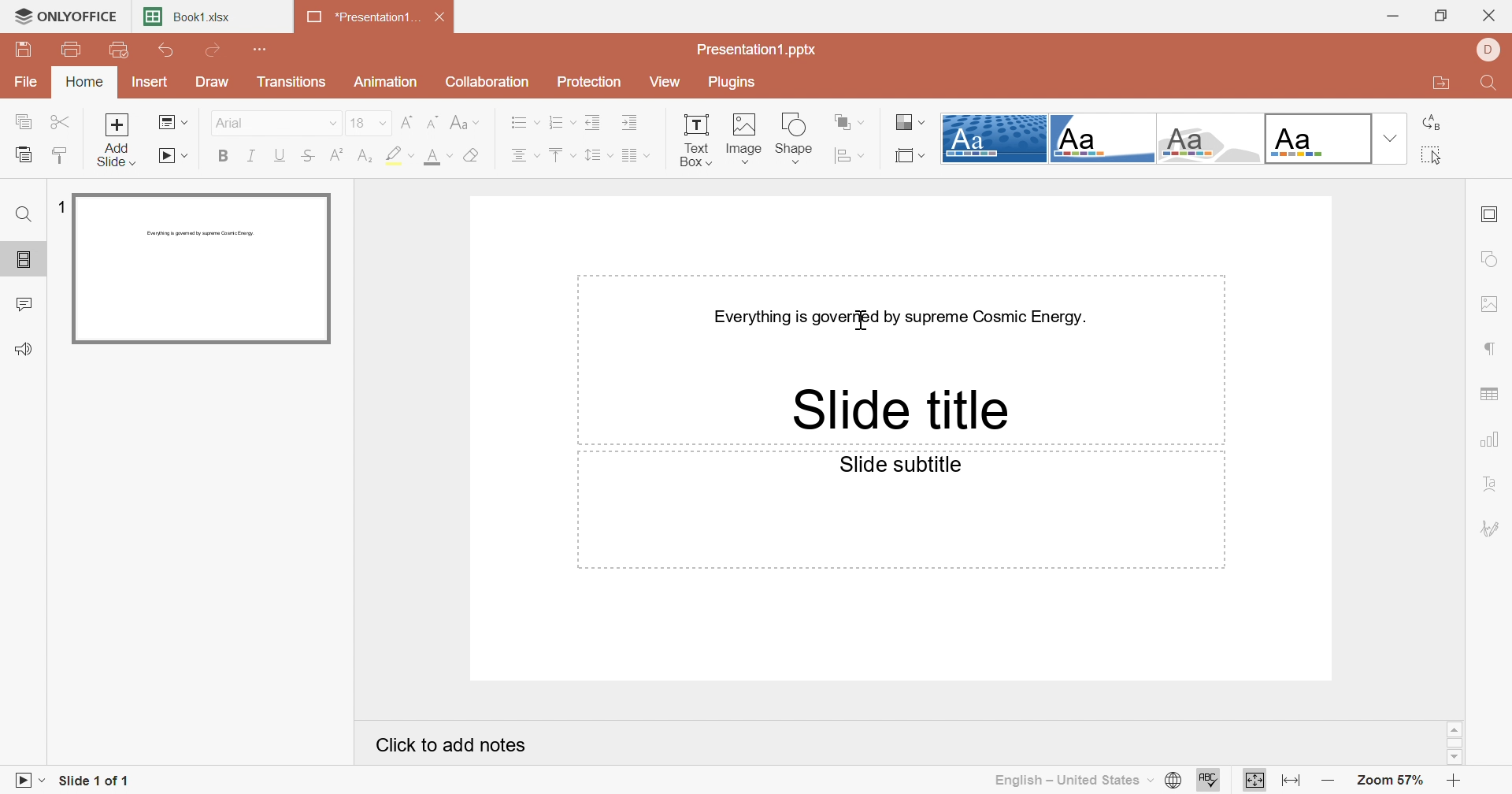  What do you see at coordinates (462, 122) in the screenshot?
I see `Change case` at bounding box center [462, 122].